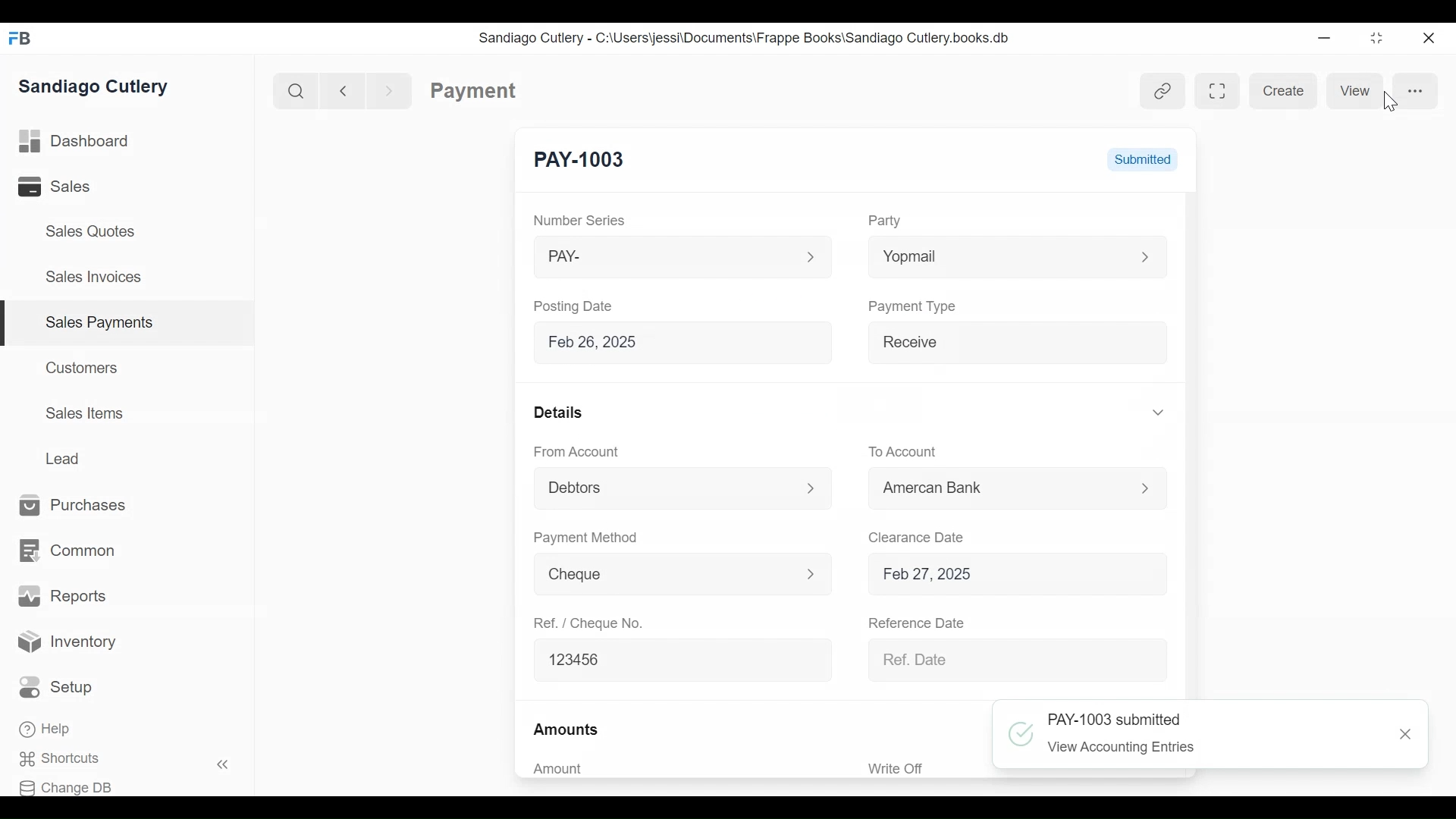 This screenshot has width=1456, height=819. I want to click on Payment, so click(474, 91).